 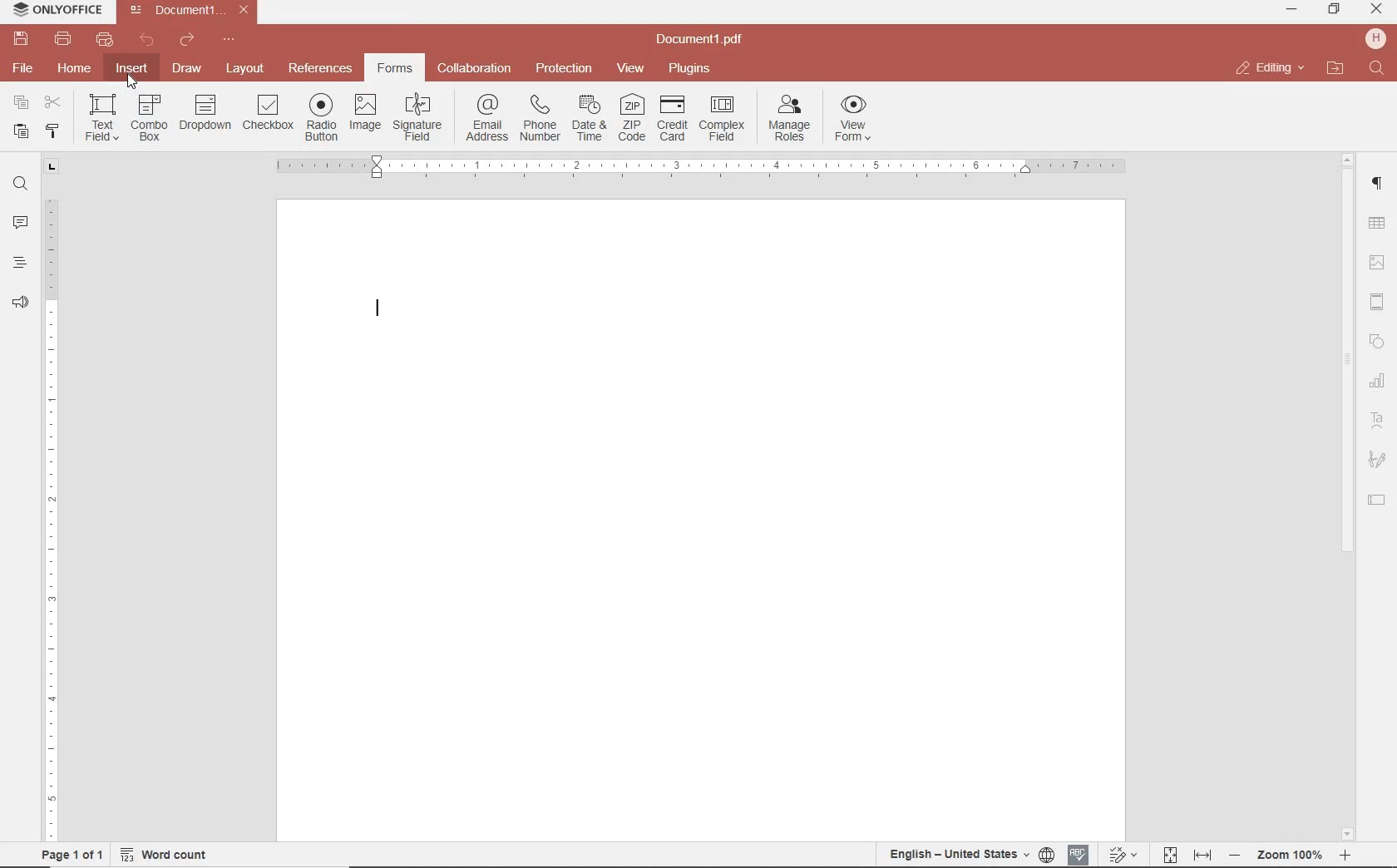 I want to click on scrollbar, so click(x=1345, y=496).